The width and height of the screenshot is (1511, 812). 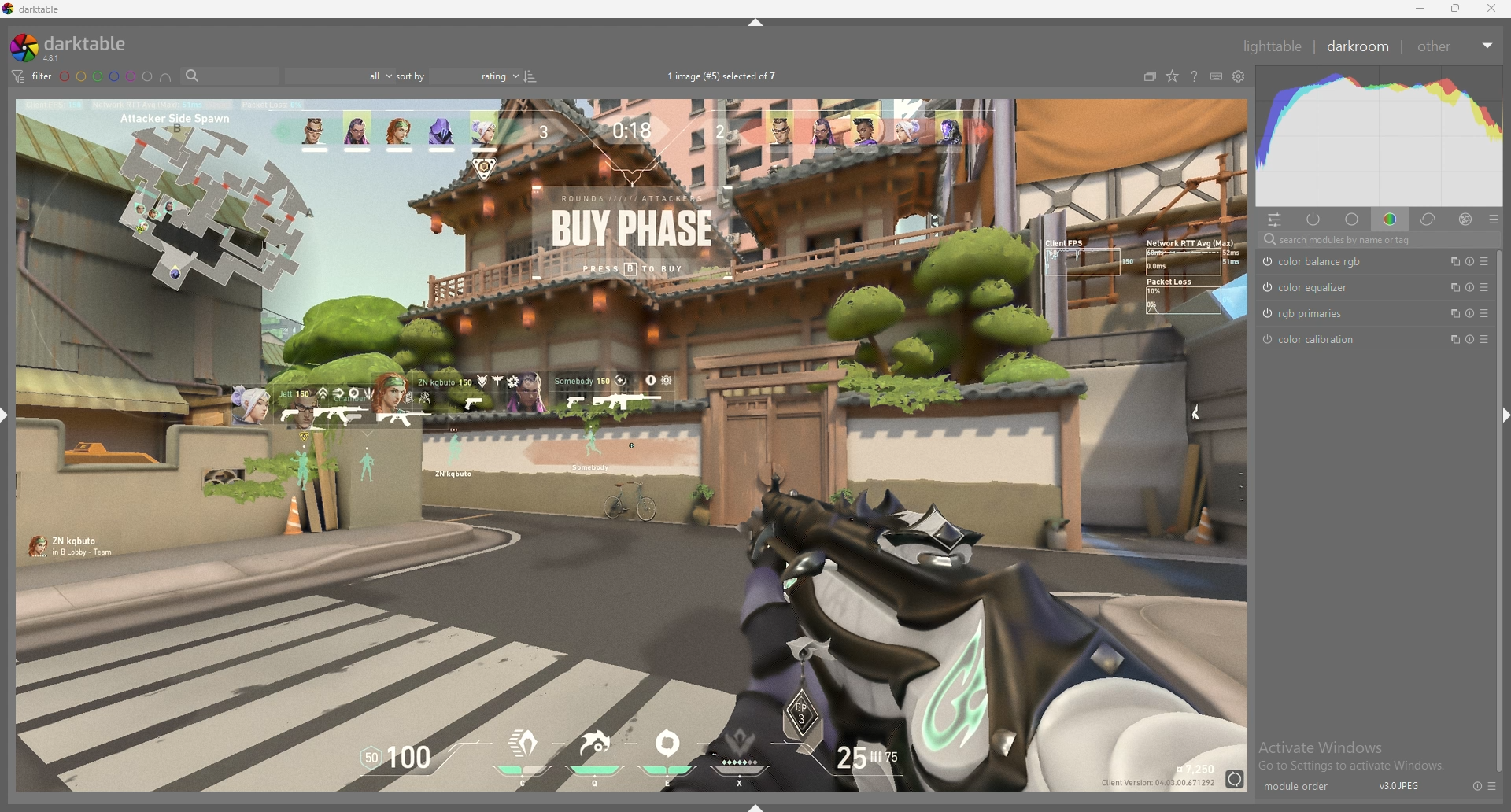 What do you see at coordinates (1323, 287) in the screenshot?
I see `color equalizer` at bounding box center [1323, 287].